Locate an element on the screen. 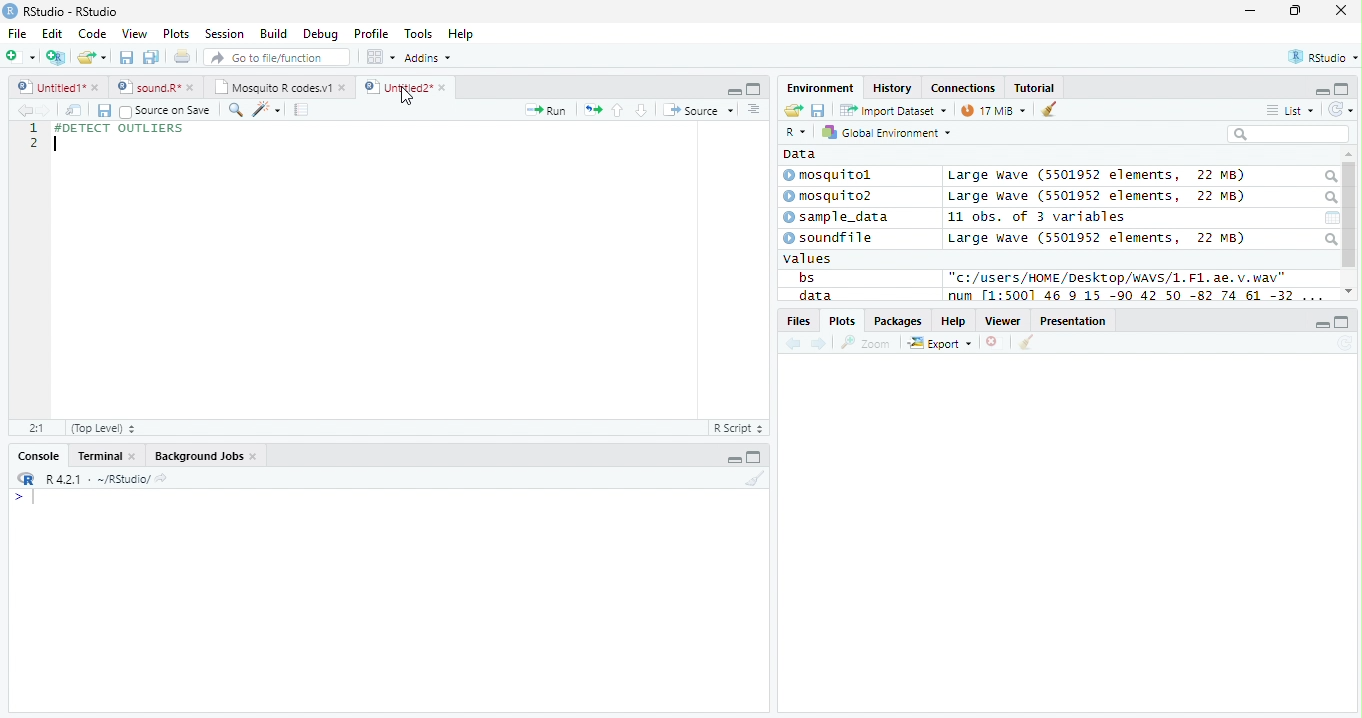  workspace panes is located at coordinates (382, 57).